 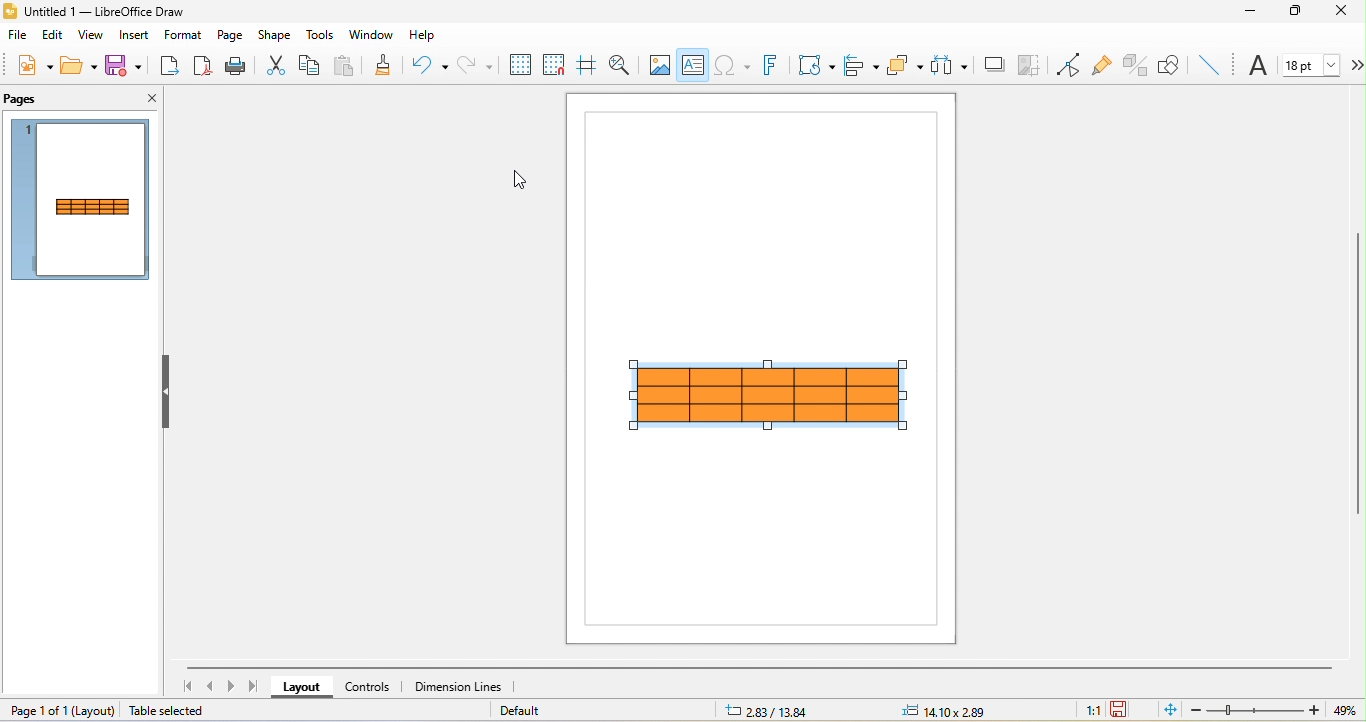 I want to click on last page, so click(x=259, y=688).